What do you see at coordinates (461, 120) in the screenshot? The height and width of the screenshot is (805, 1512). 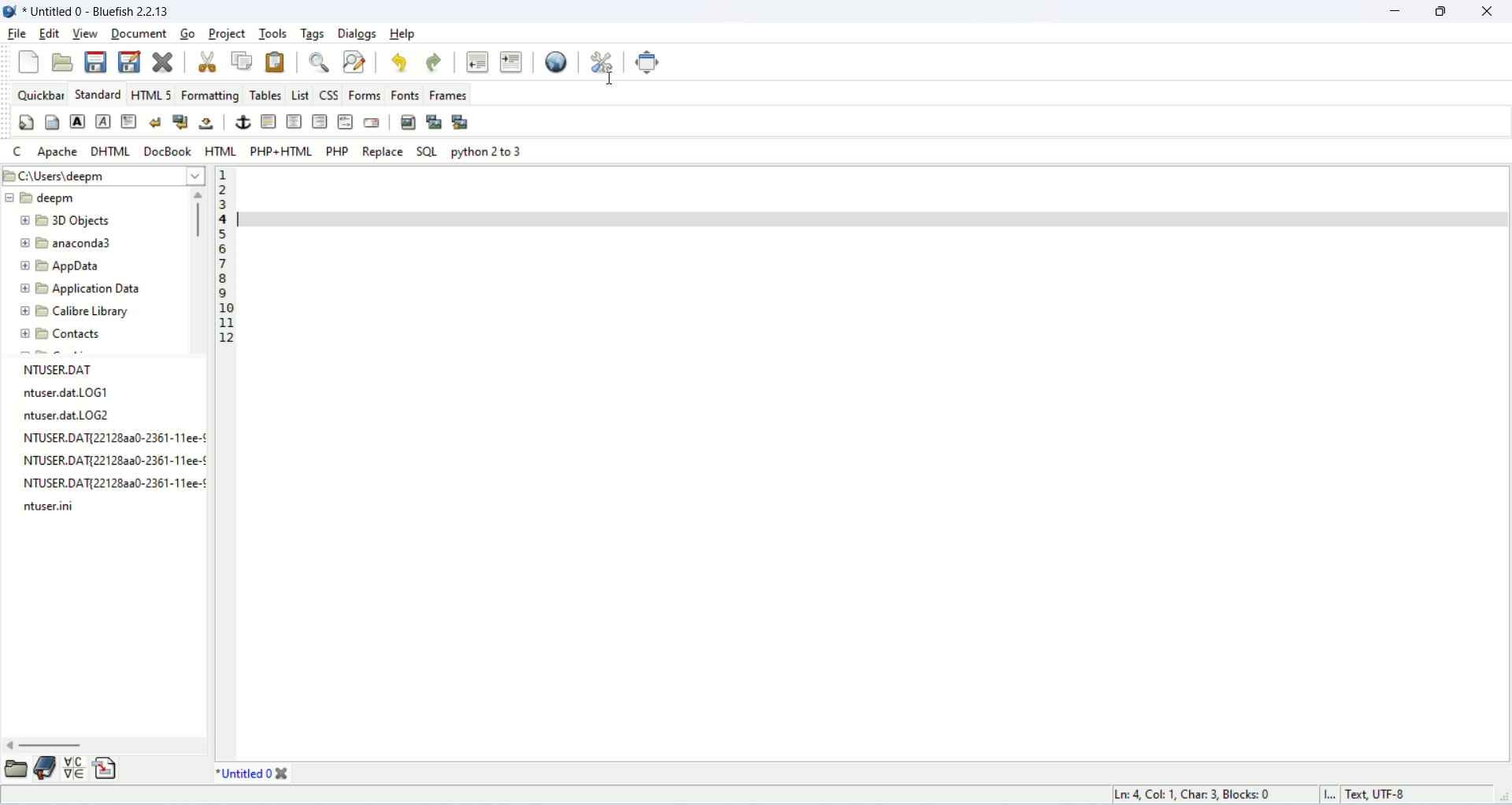 I see `multi thumbnail` at bounding box center [461, 120].